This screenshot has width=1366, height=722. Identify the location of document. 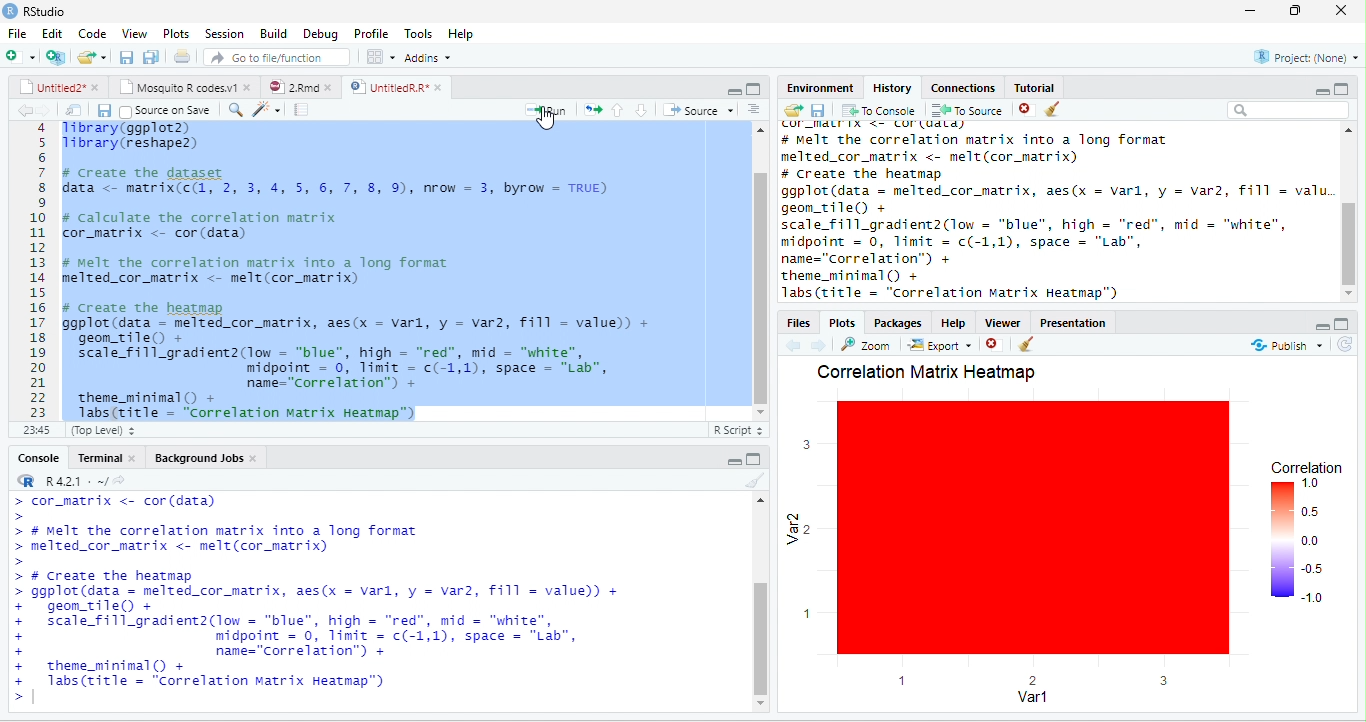
(300, 111).